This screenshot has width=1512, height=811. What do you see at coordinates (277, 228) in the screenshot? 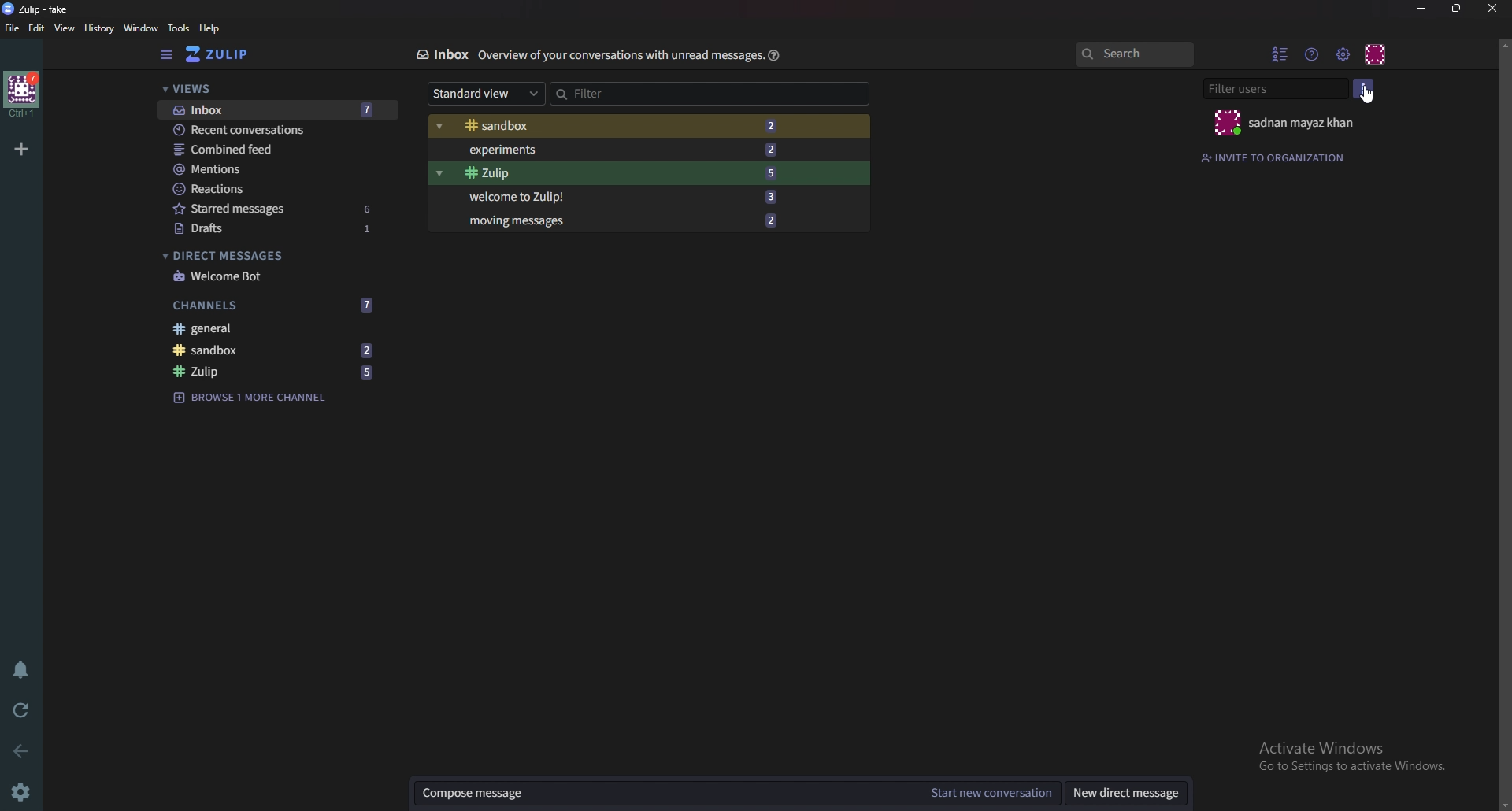
I see `drafts` at bounding box center [277, 228].